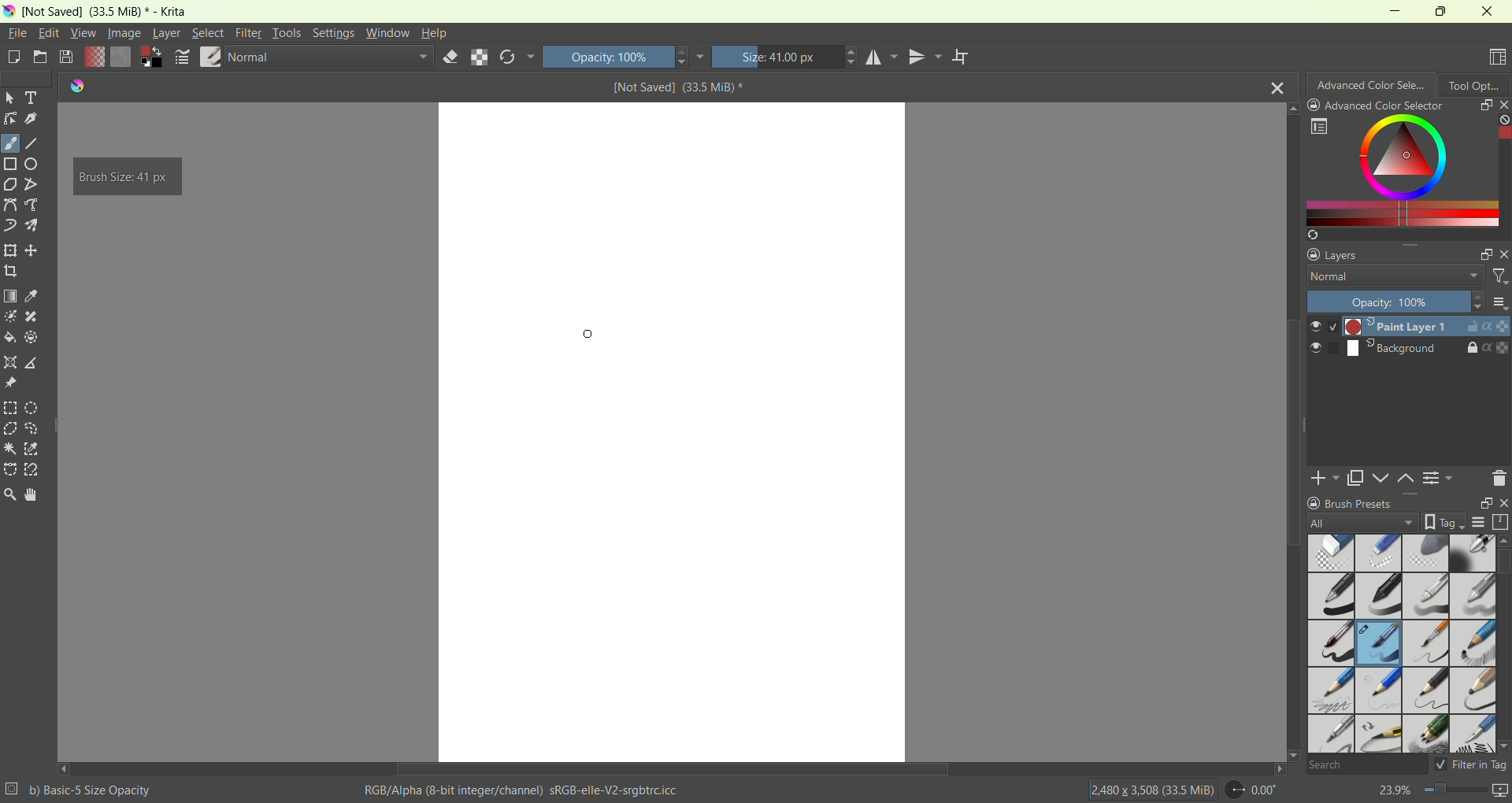  Describe the element at coordinates (125, 177) in the screenshot. I see `Brush Size: 41 px` at that location.